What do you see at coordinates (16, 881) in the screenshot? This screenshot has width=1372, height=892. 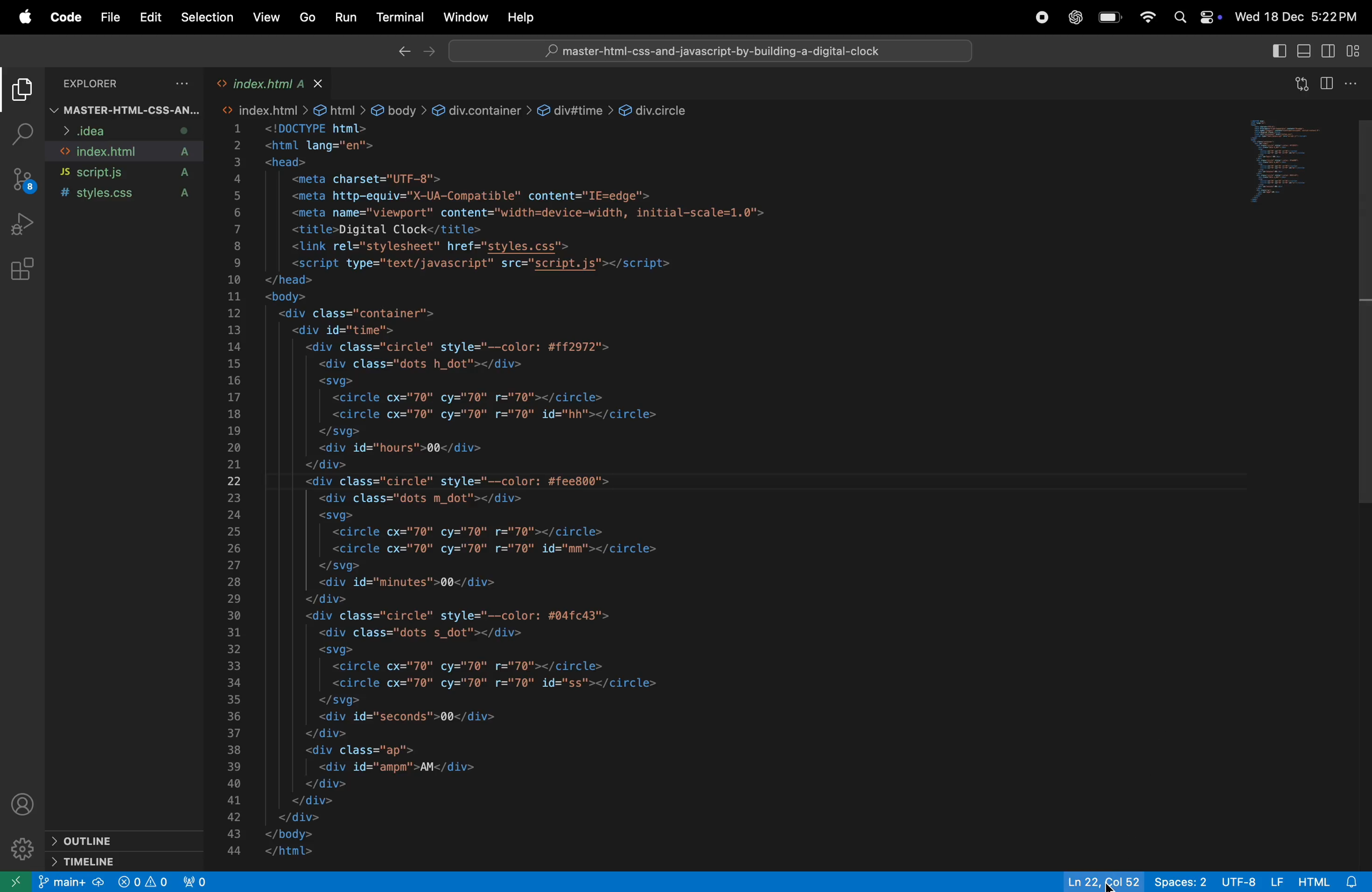 I see `open another window` at bounding box center [16, 881].